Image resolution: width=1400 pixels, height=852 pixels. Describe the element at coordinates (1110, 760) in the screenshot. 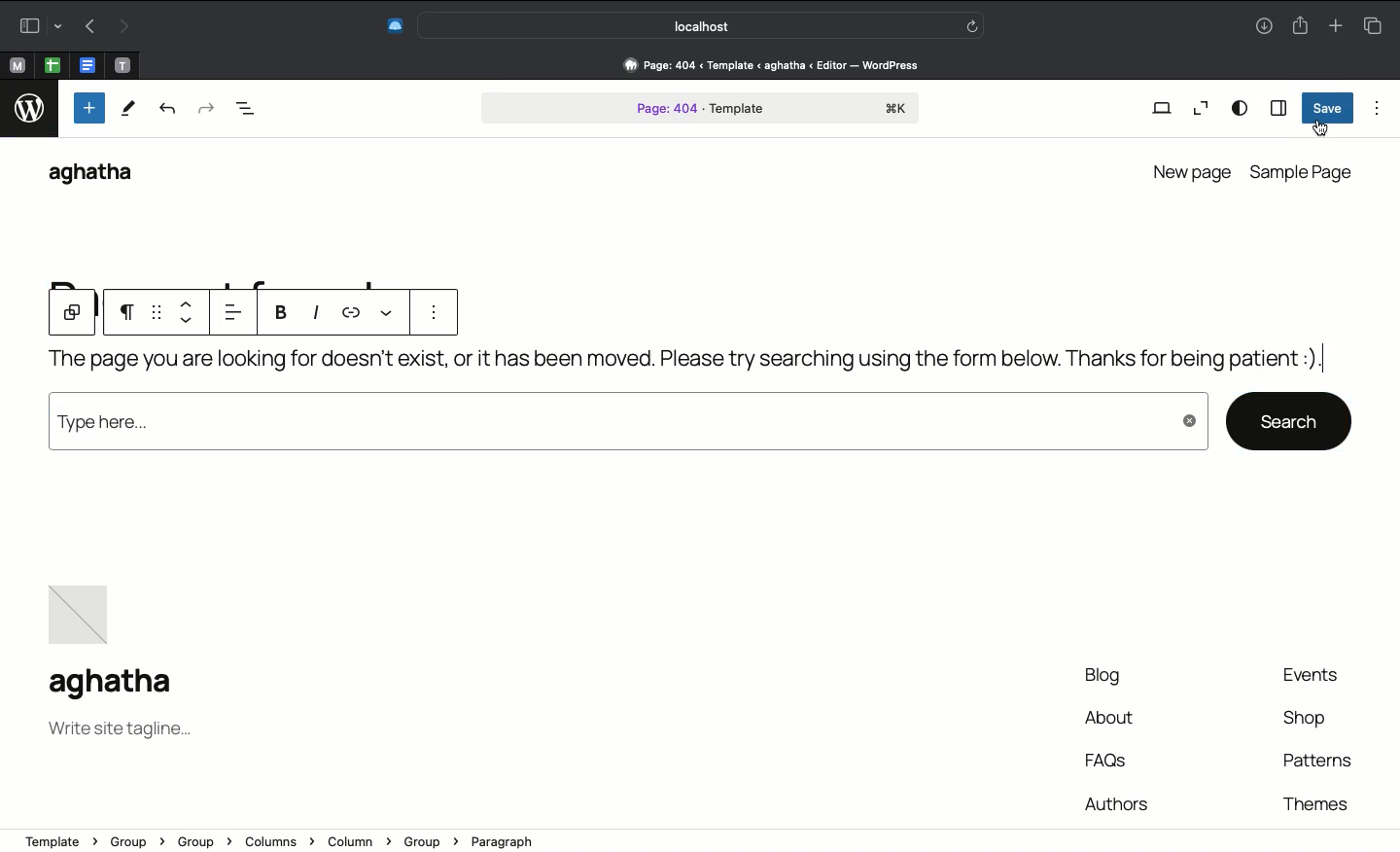

I see `FAQs` at that location.